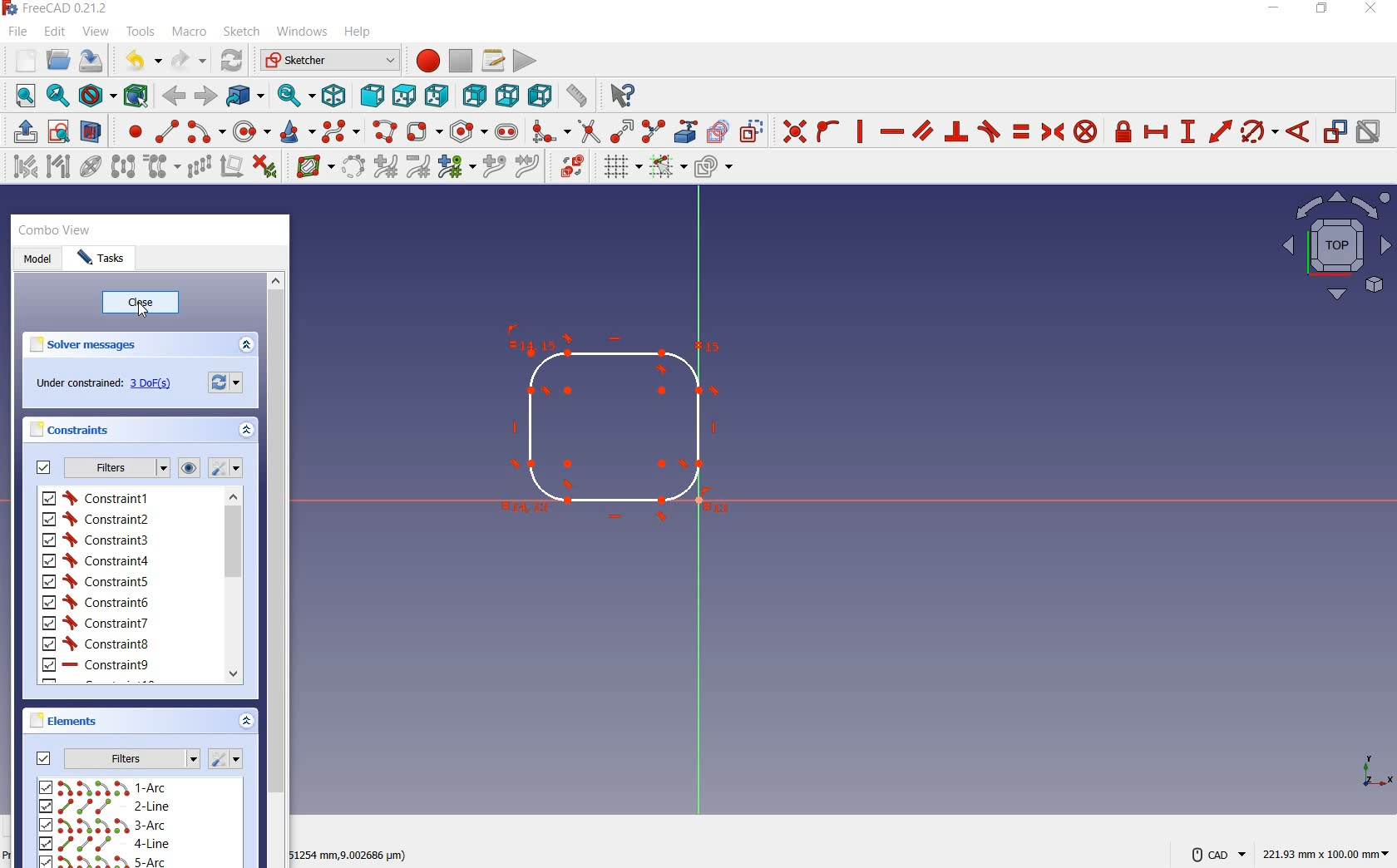 The image size is (1397, 868). What do you see at coordinates (1332, 248) in the screenshot?
I see `view` at bounding box center [1332, 248].